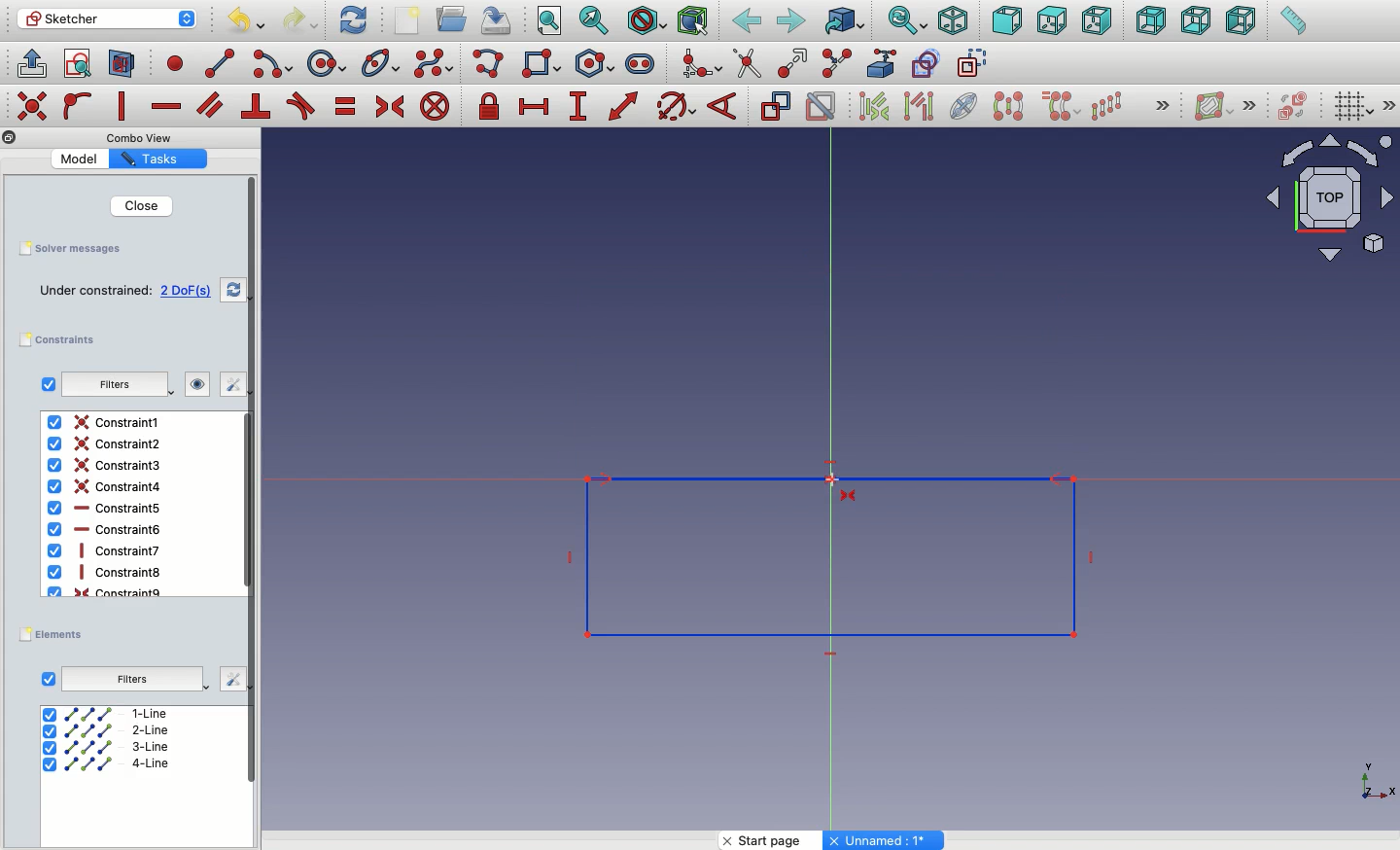  Describe the element at coordinates (30, 62) in the screenshot. I see `leave sketch` at that location.